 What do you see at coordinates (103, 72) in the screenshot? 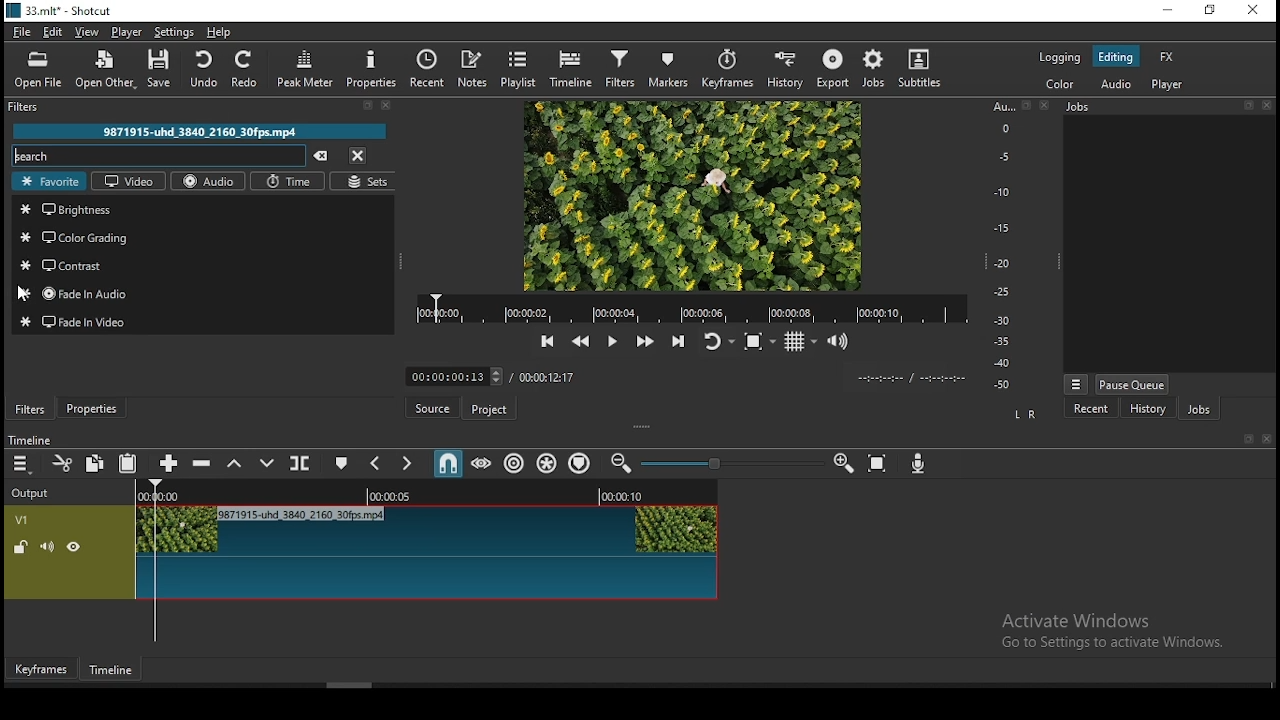
I see `open other` at bounding box center [103, 72].